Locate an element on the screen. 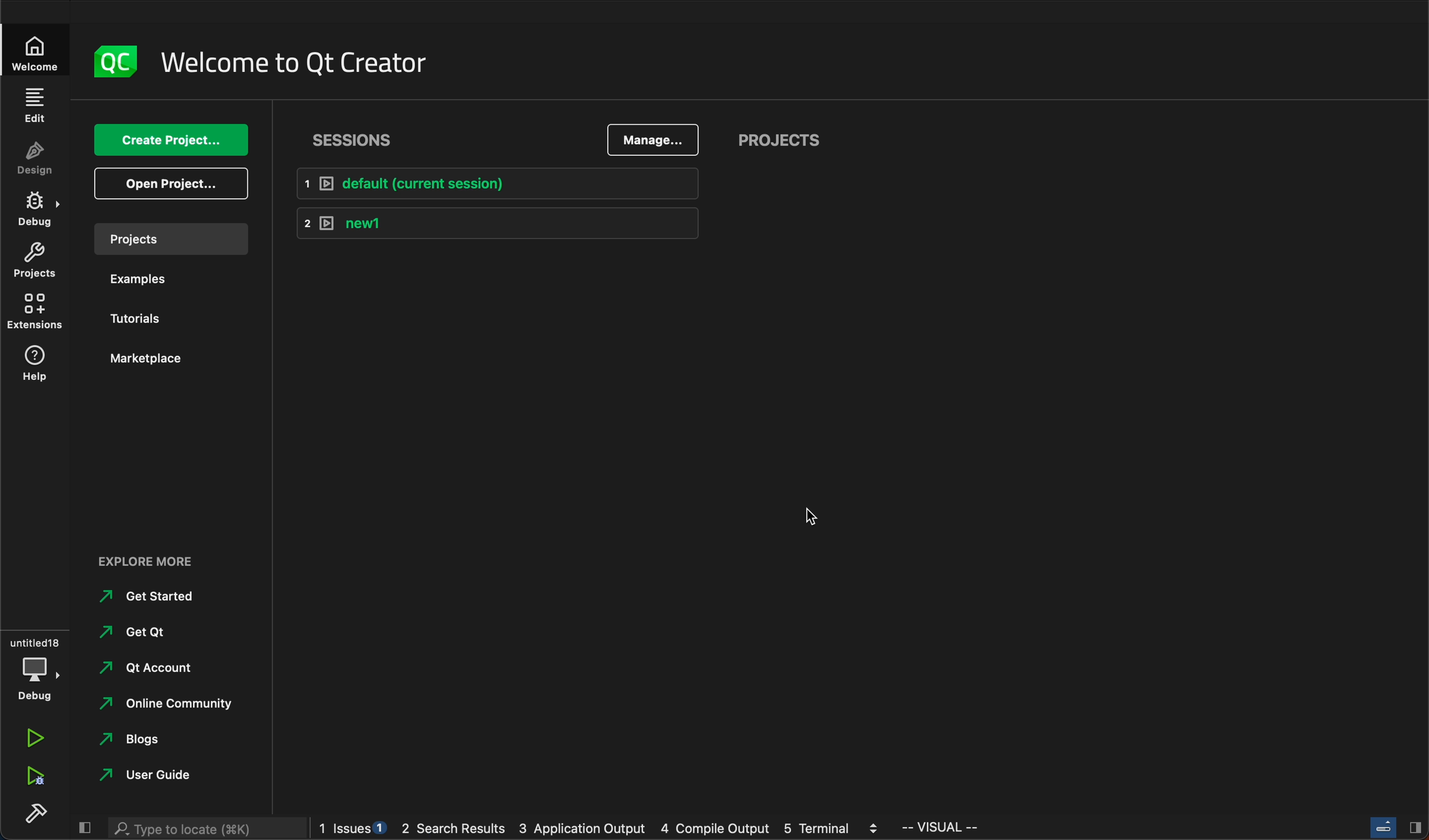  close slidebar is located at coordinates (84, 828).